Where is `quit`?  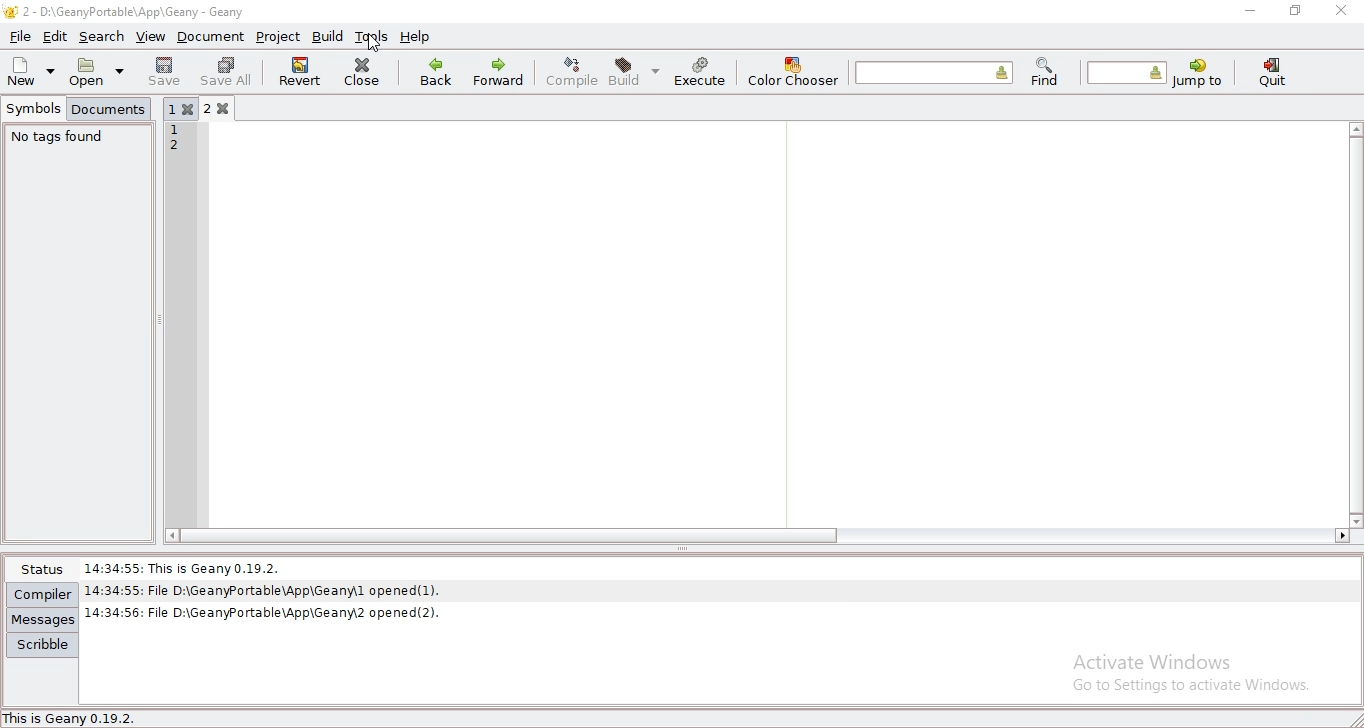 quit is located at coordinates (1276, 73).